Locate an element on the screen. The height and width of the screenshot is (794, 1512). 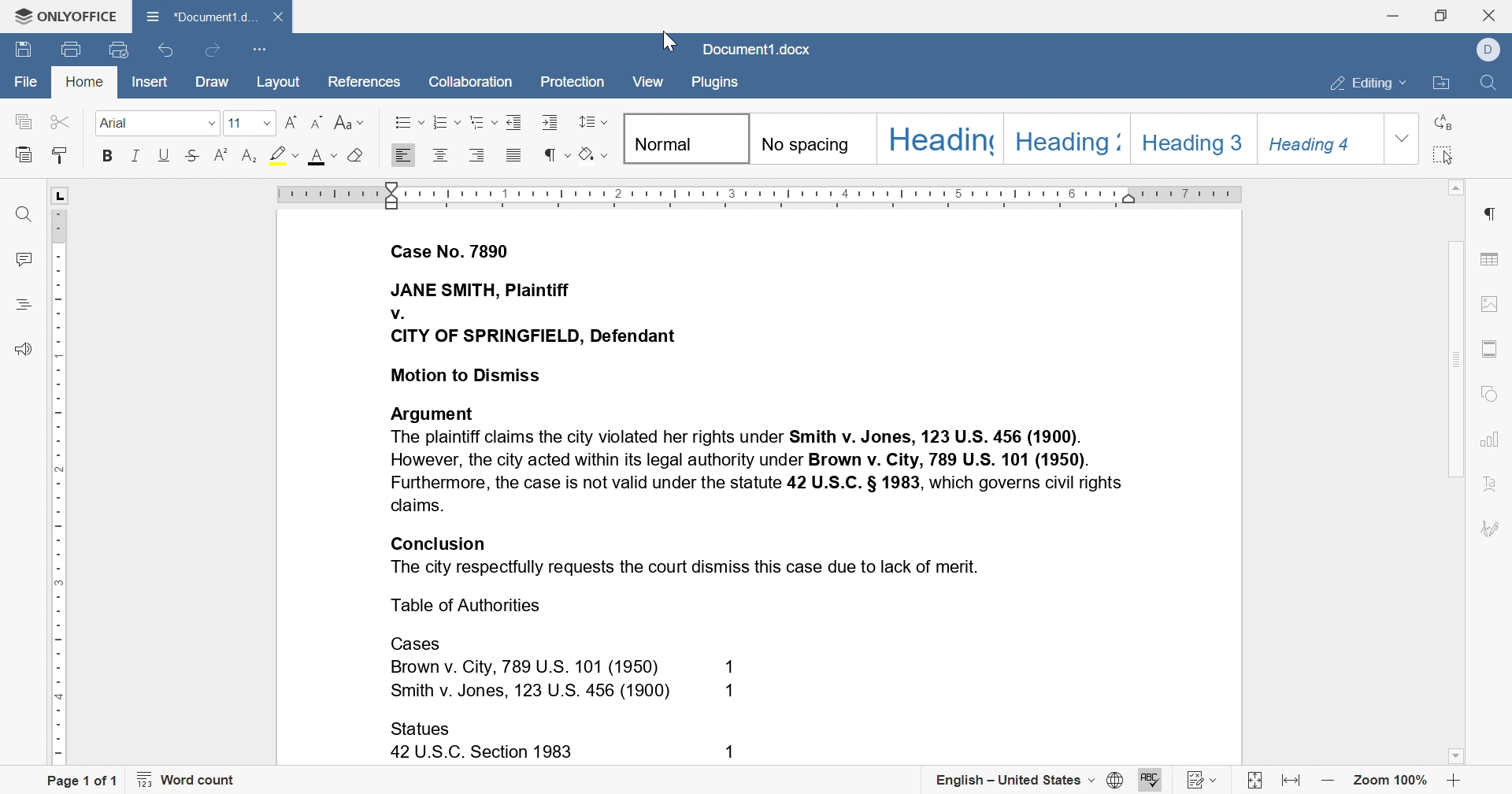
minimize is located at coordinates (1394, 15).